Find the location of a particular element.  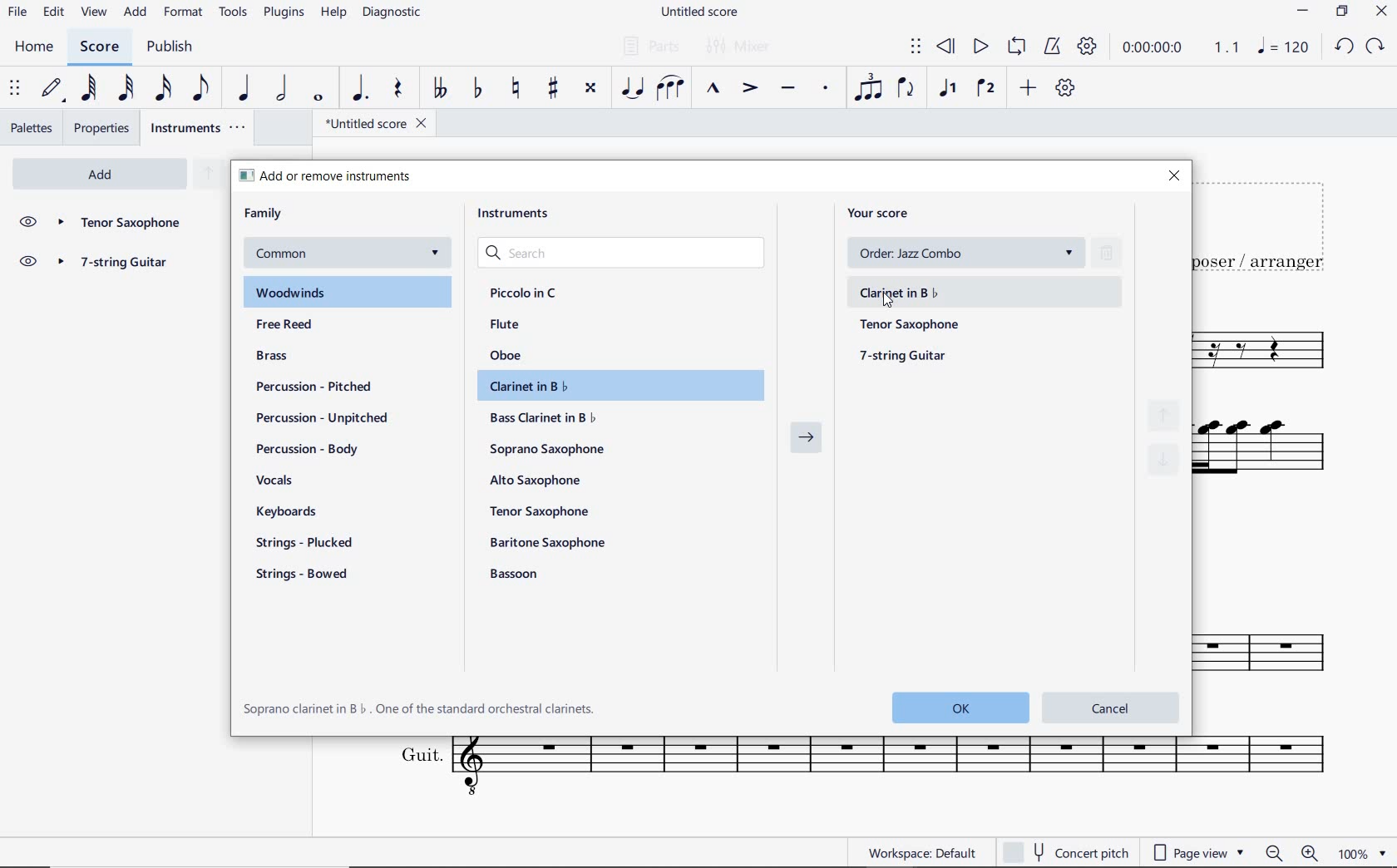

free reed is located at coordinates (317, 326).